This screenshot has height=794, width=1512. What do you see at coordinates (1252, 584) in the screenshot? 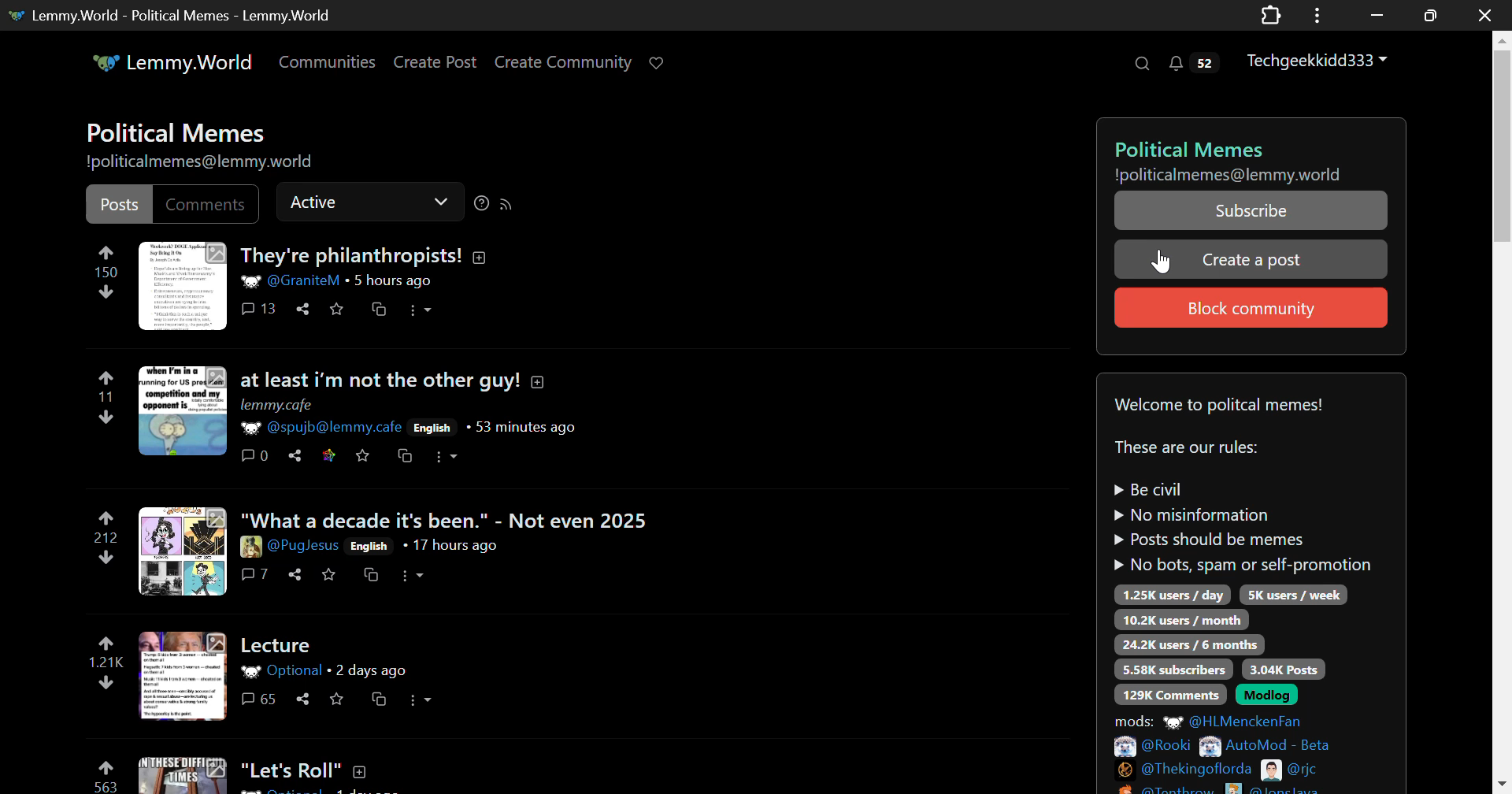
I see `Community Rules` at bounding box center [1252, 584].